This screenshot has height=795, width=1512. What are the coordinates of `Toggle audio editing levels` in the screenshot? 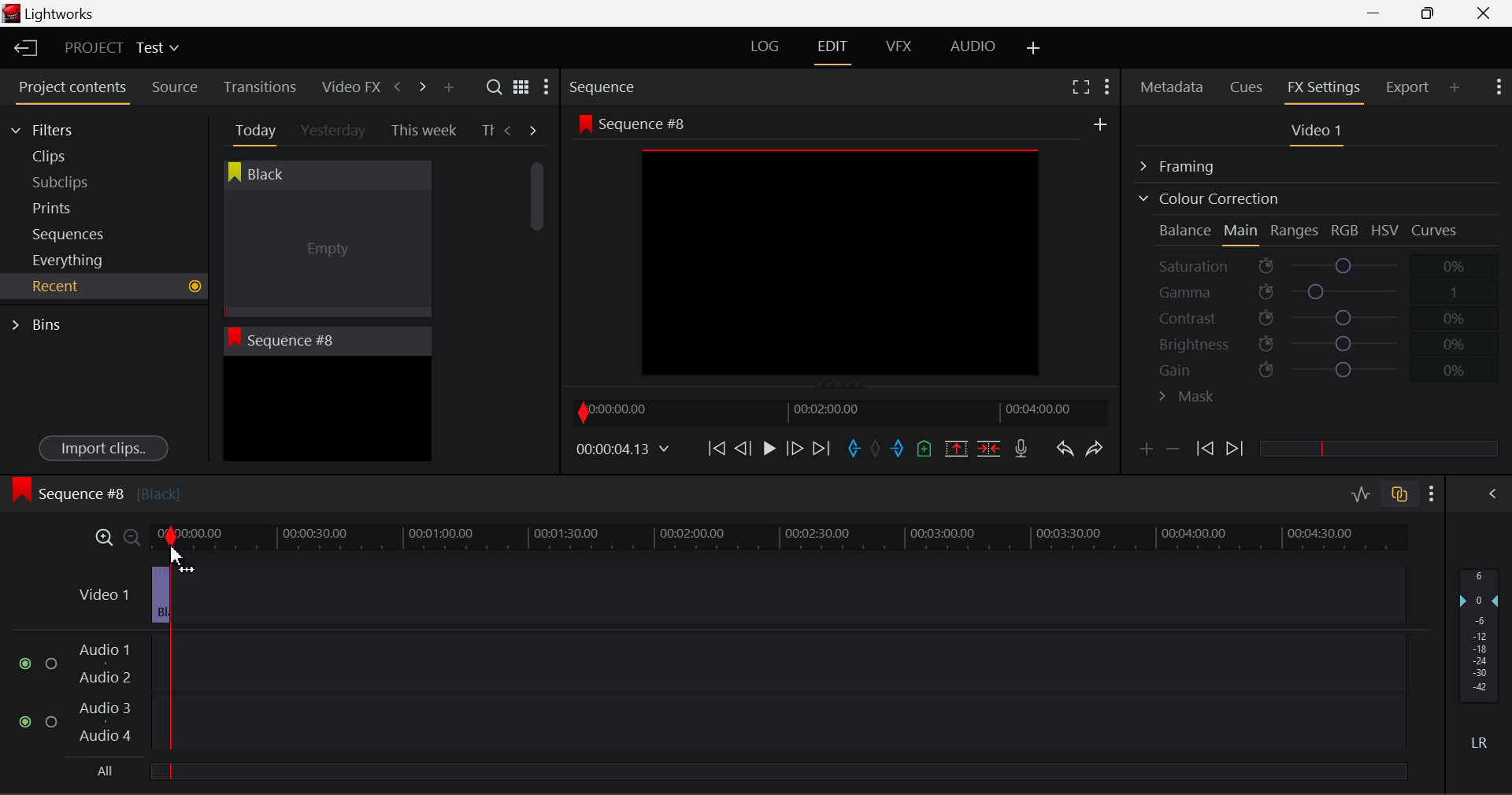 It's located at (1362, 492).